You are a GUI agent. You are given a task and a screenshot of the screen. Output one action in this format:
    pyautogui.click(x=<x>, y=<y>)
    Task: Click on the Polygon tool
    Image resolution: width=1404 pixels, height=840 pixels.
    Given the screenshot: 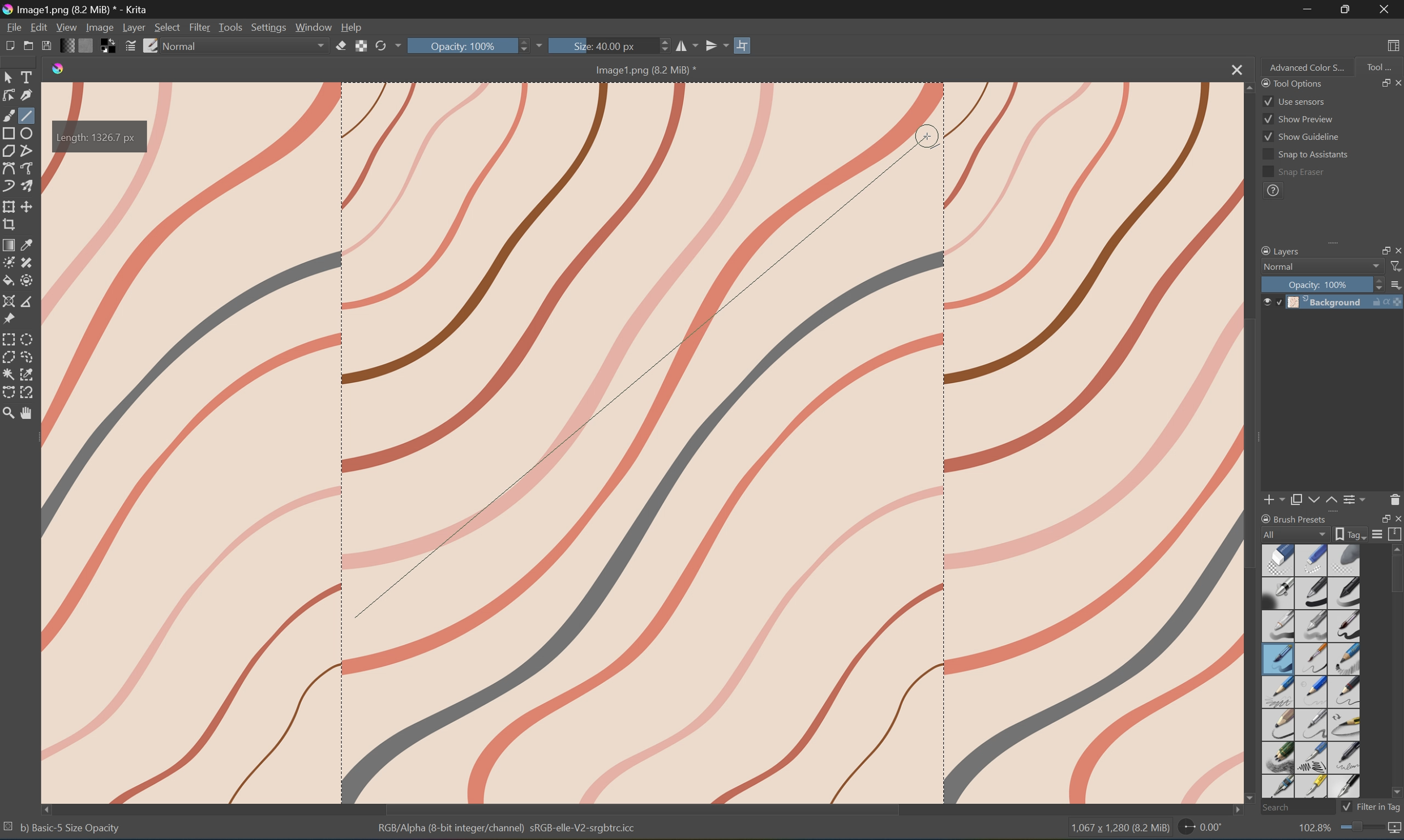 What is the action you would take?
    pyautogui.click(x=11, y=151)
    